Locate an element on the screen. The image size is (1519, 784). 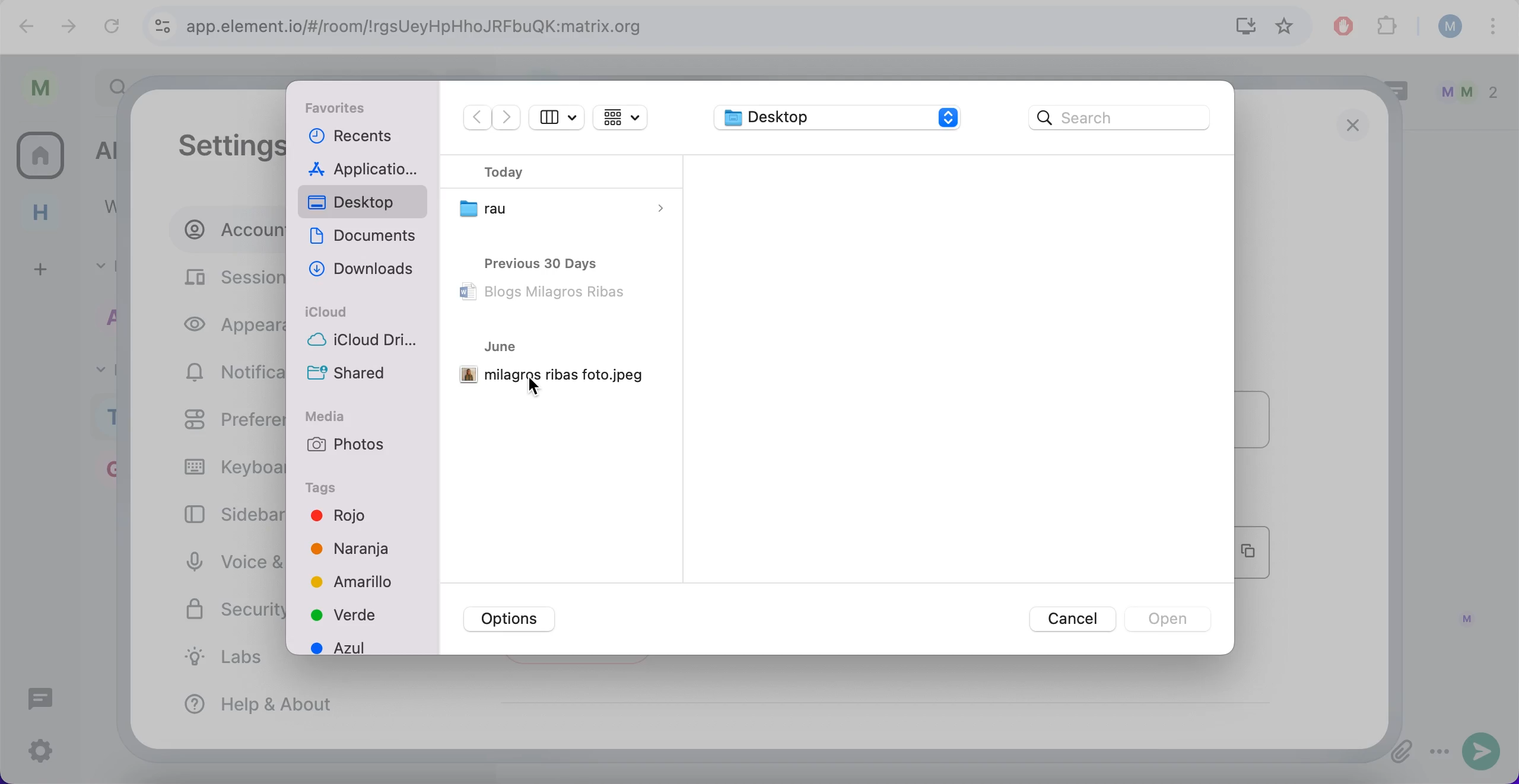
june is located at coordinates (499, 343).